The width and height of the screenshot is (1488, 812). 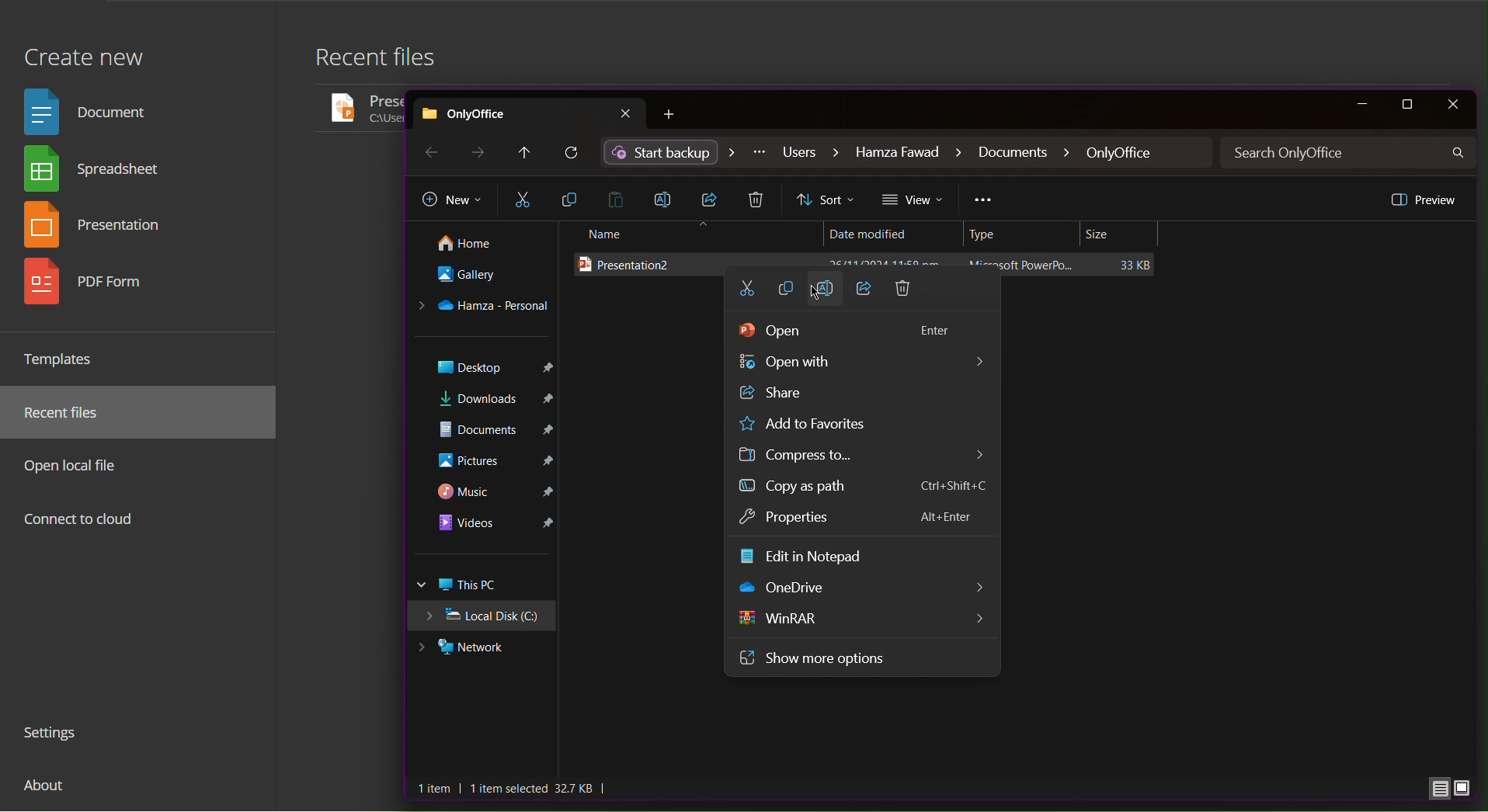 What do you see at coordinates (759, 201) in the screenshot?
I see `Delete` at bounding box center [759, 201].